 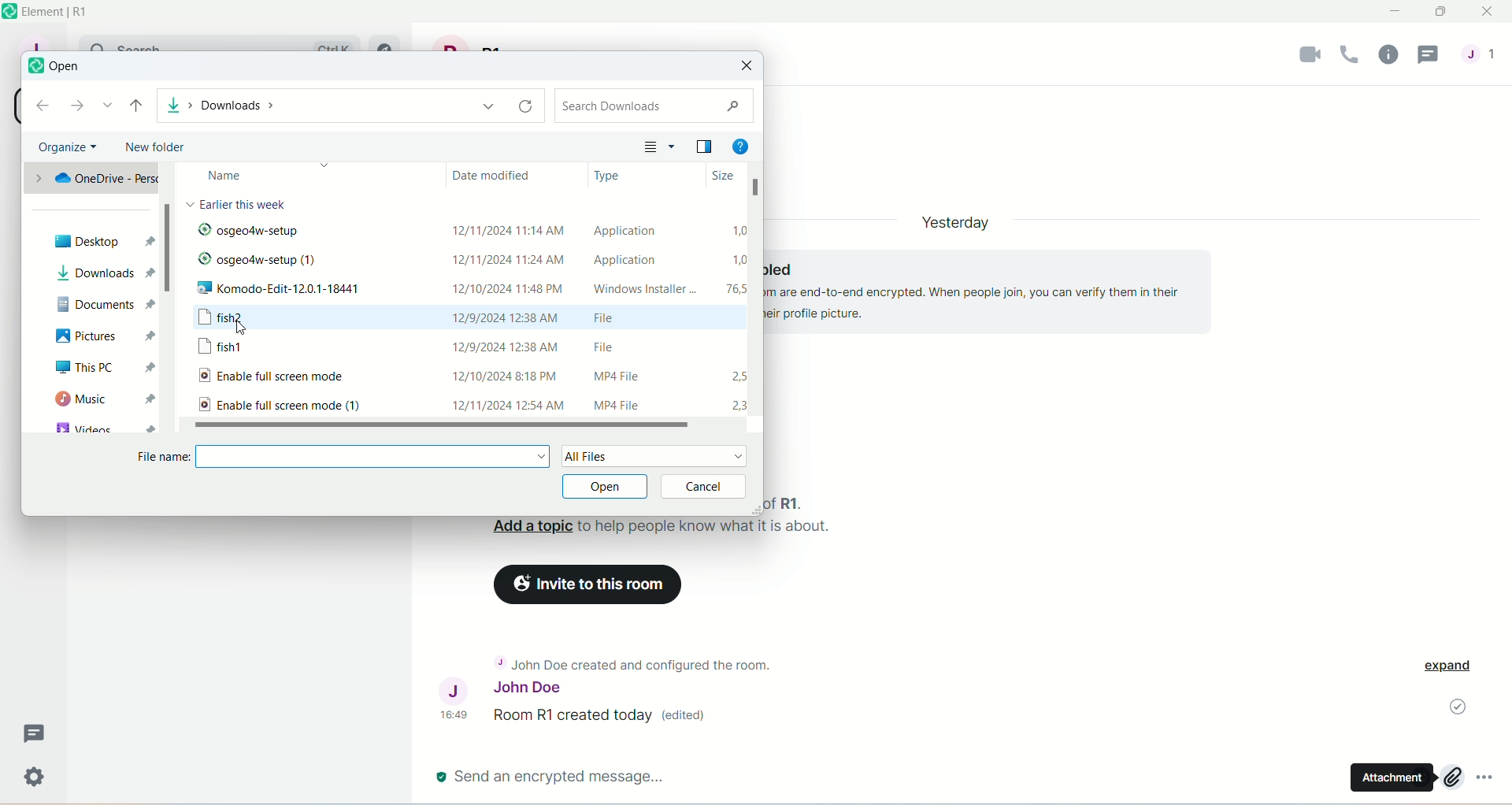 What do you see at coordinates (136, 108) in the screenshot?
I see `upto` at bounding box center [136, 108].